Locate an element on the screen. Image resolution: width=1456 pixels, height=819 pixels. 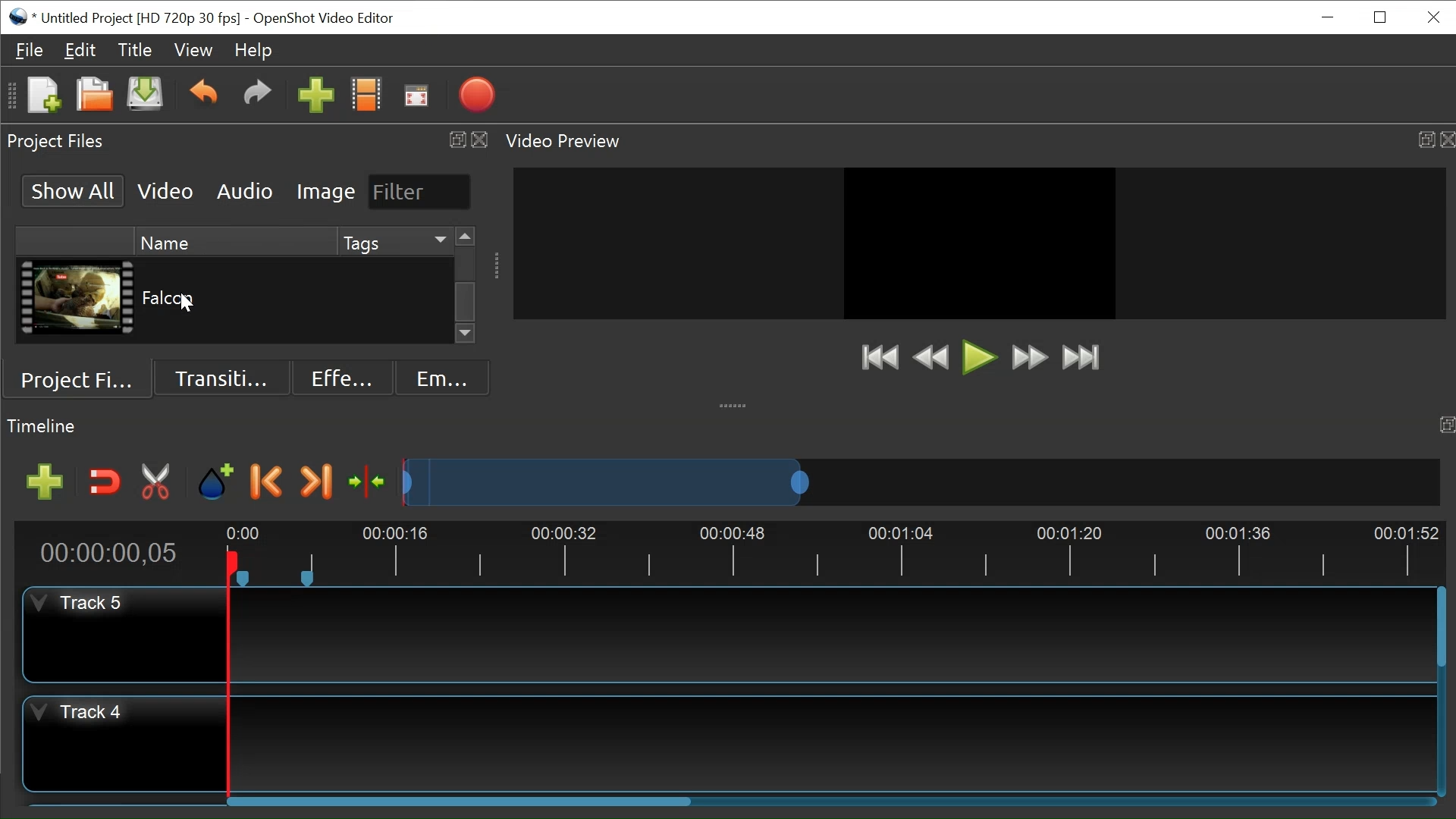
Track Header is located at coordinates (83, 604).